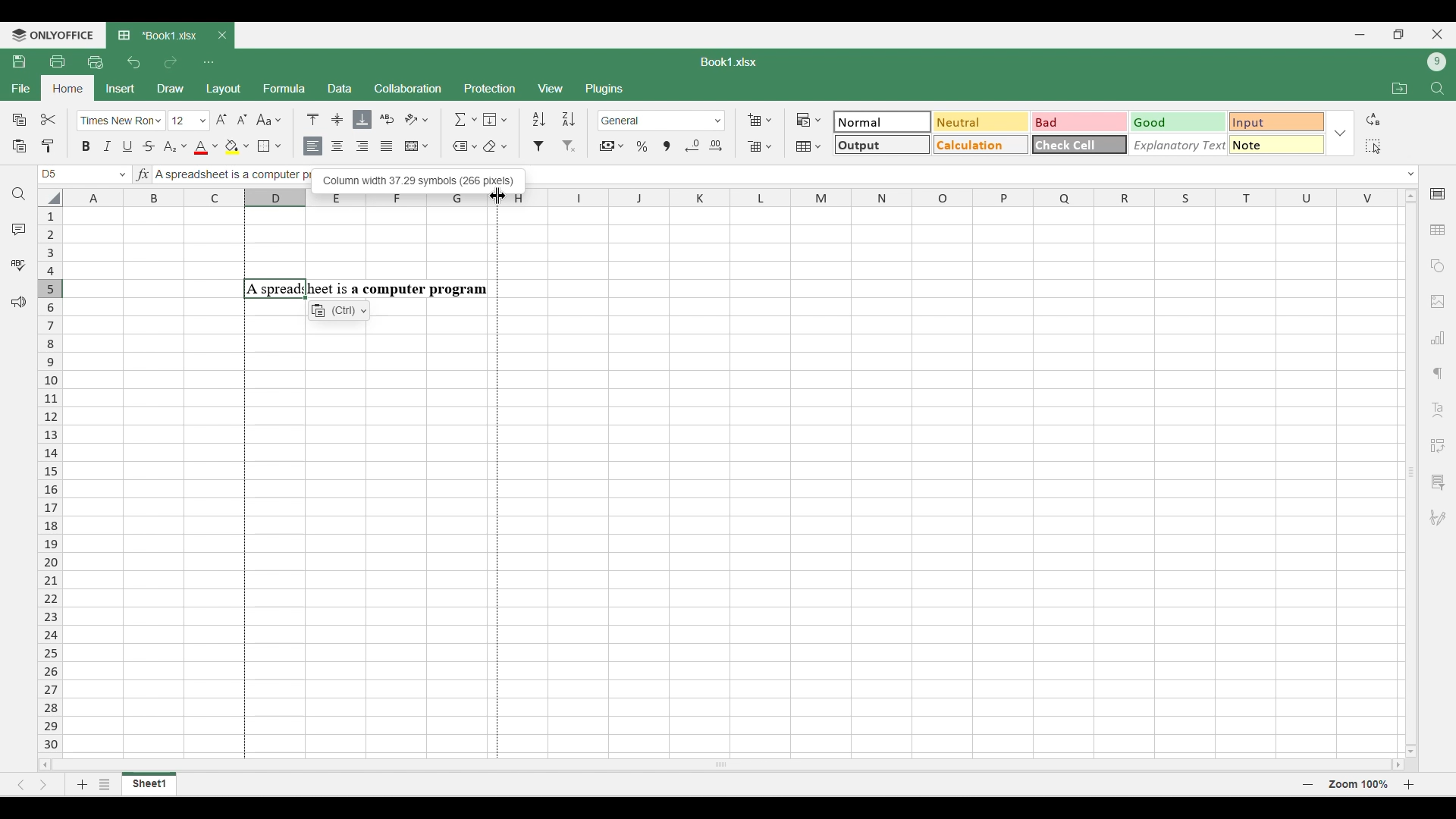 The image size is (1456, 819). Describe the element at coordinates (417, 119) in the screenshot. I see `Orientation options` at that location.